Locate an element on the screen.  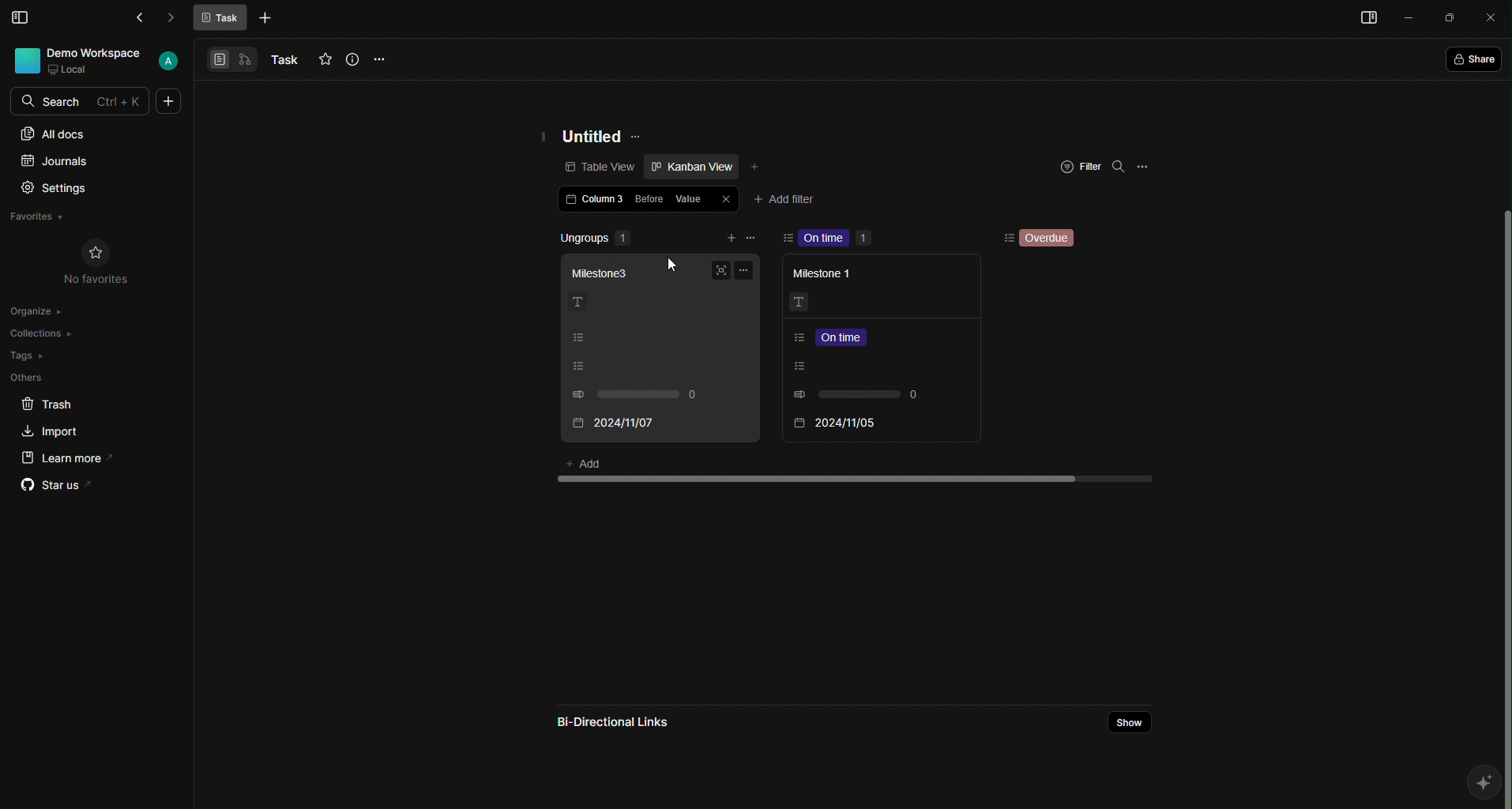
Task is located at coordinates (284, 60).